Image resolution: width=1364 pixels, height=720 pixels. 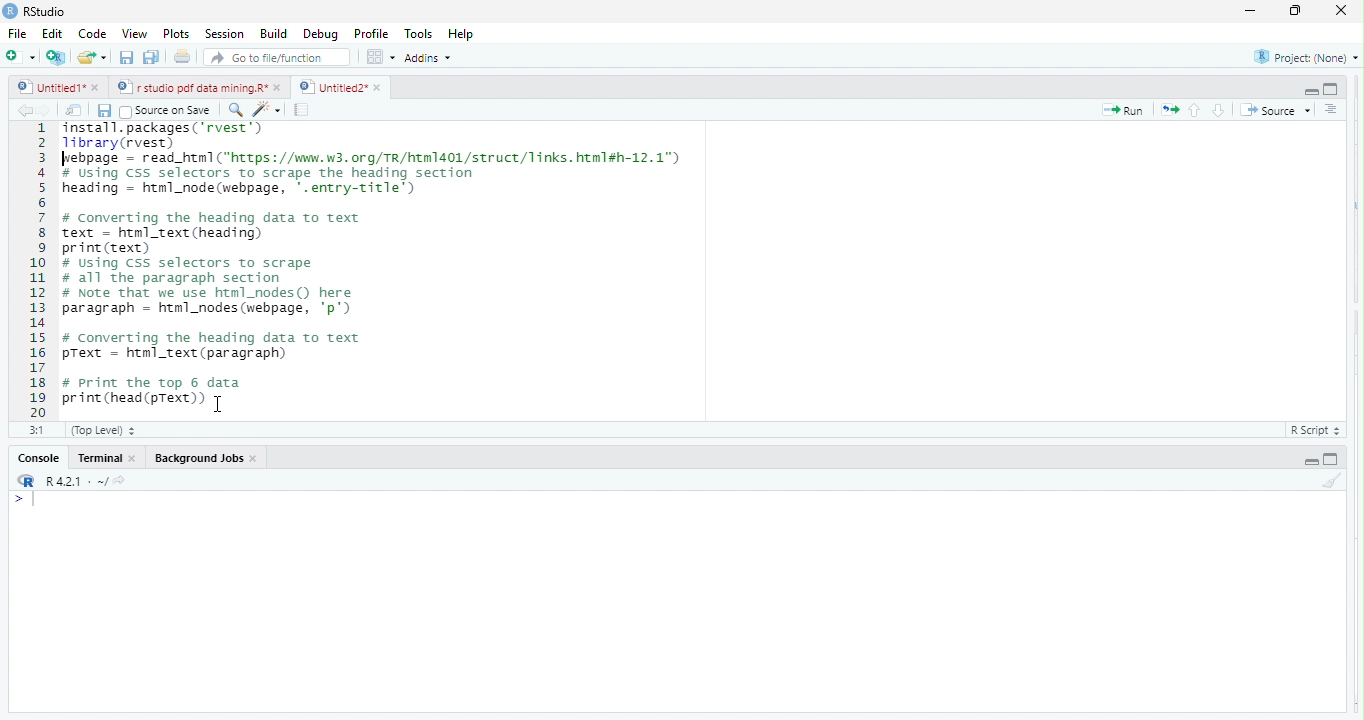 I want to click on Source on Save, so click(x=168, y=111).